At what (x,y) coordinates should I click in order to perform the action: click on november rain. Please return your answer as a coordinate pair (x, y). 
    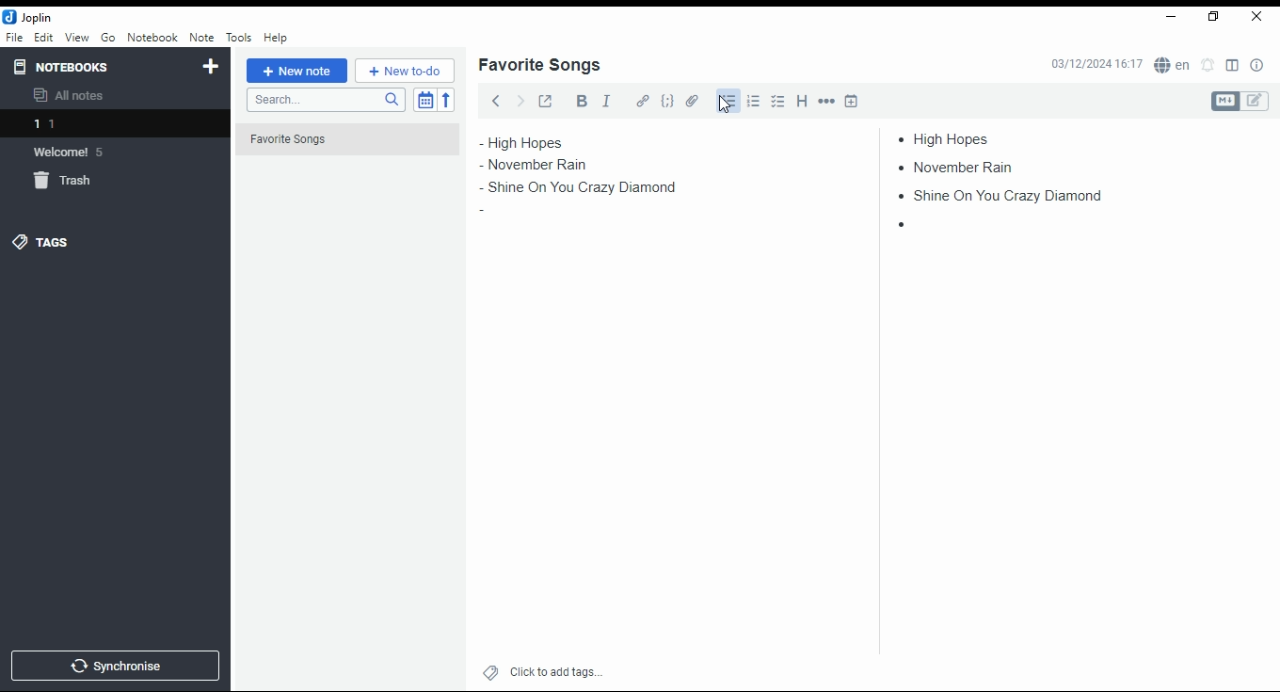
    Looking at the image, I should click on (962, 166).